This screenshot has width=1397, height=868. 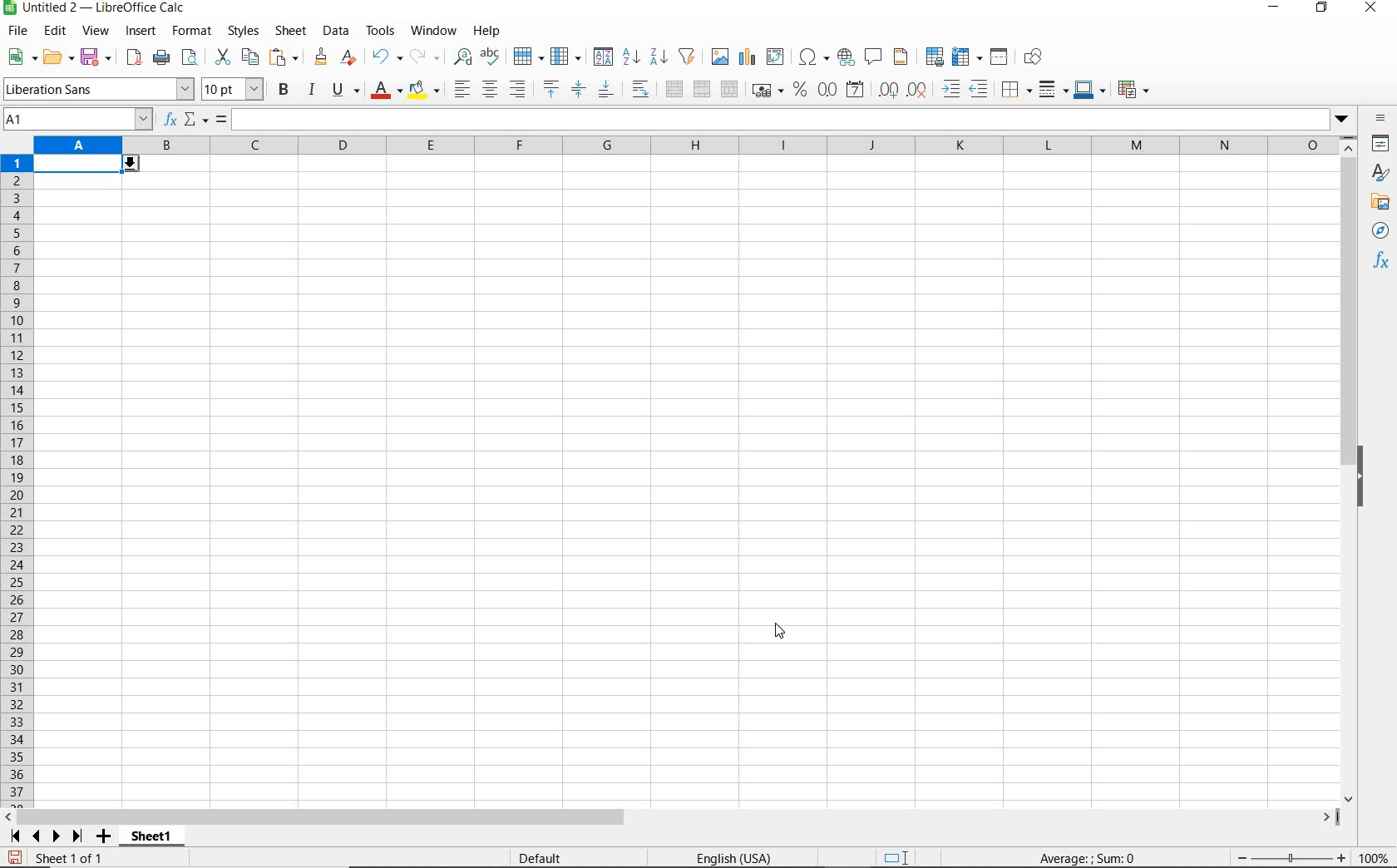 I want to click on align center, so click(x=490, y=90).